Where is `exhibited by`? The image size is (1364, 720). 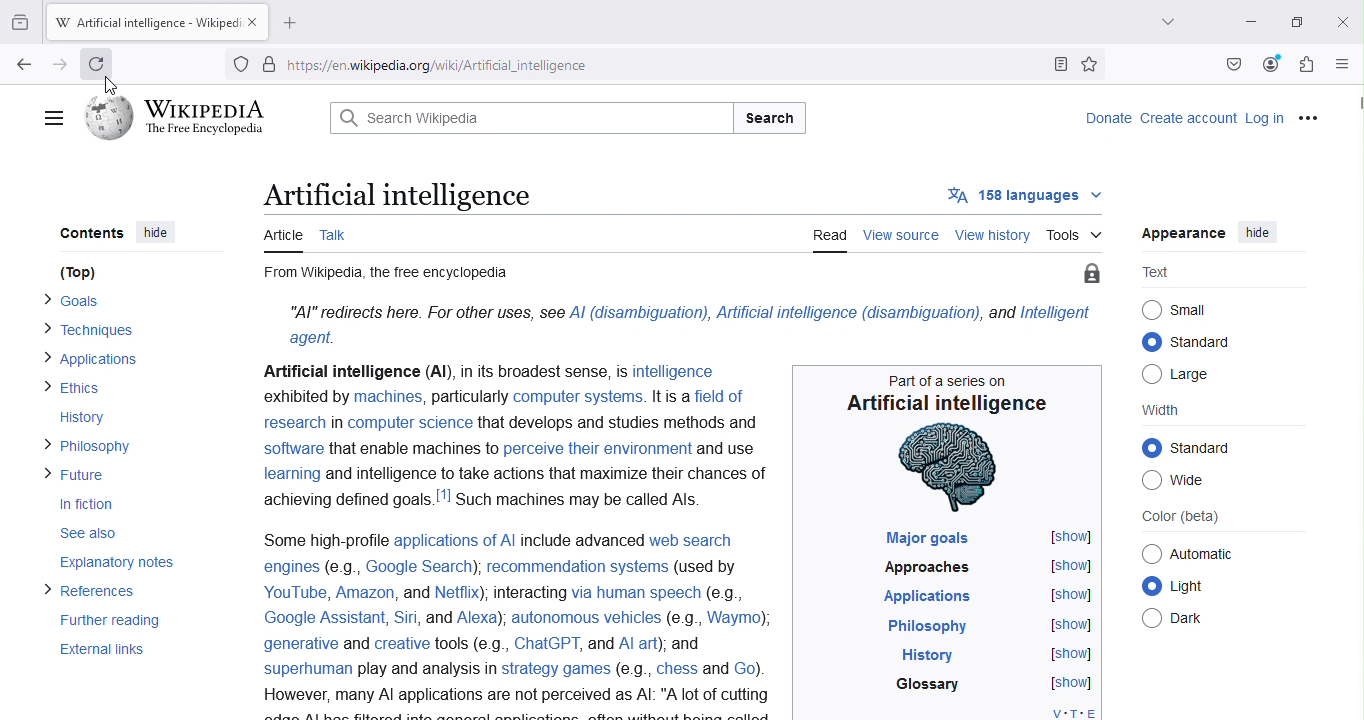 exhibited by is located at coordinates (301, 395).